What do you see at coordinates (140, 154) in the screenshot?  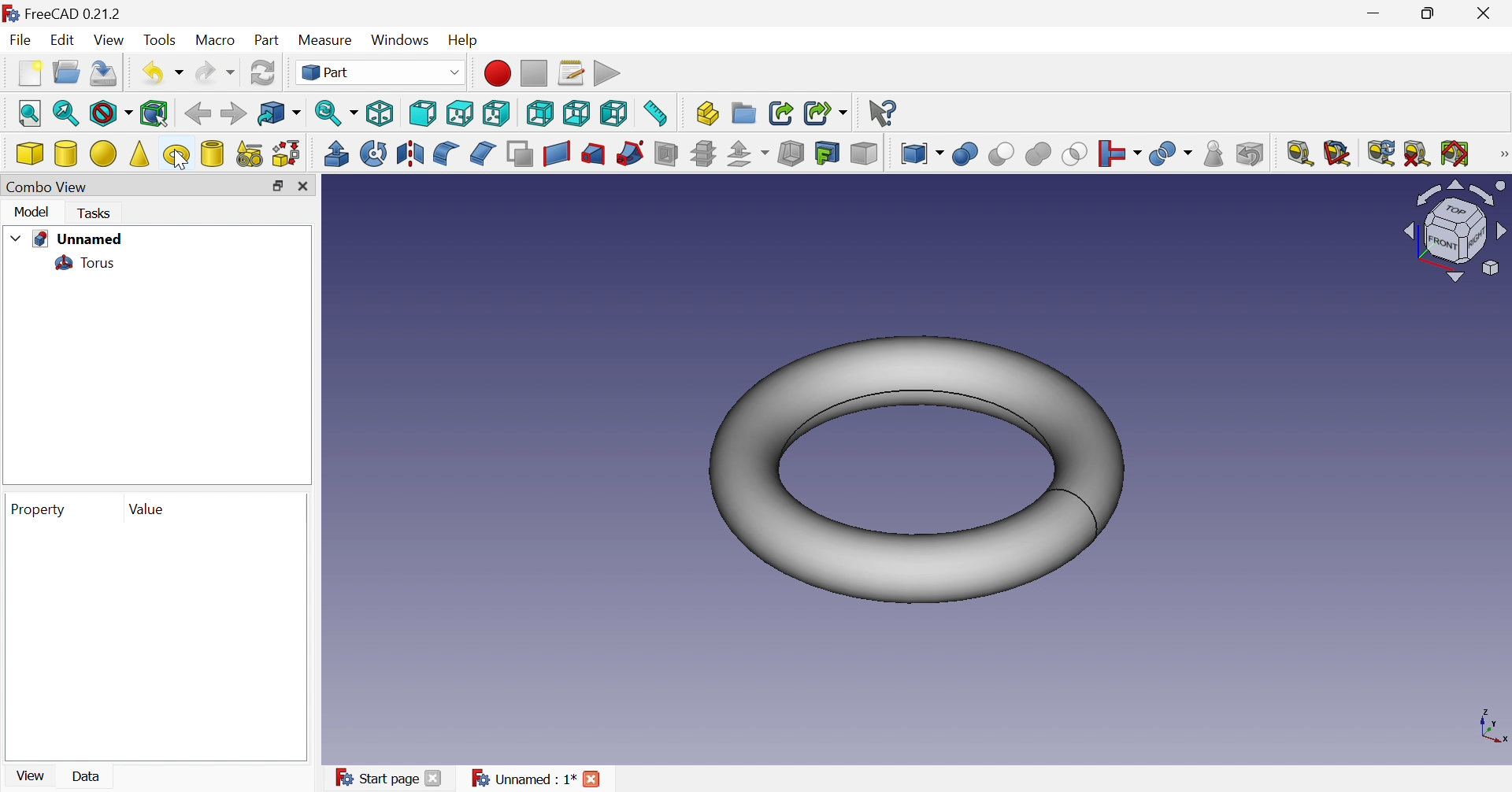 I see `Cone` at bounding box center [140, 154].